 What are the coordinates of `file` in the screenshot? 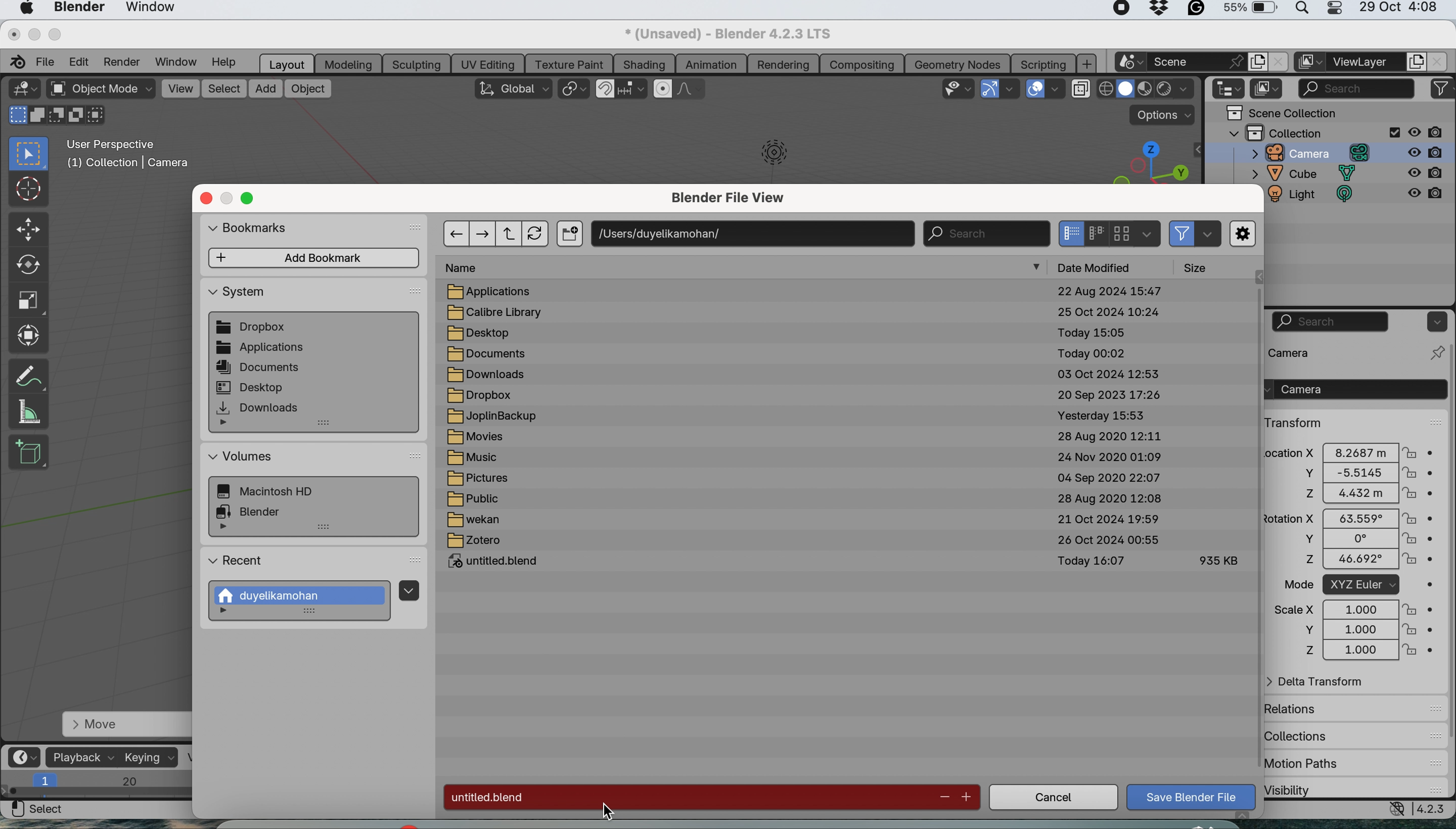 It's located at (47, 60).